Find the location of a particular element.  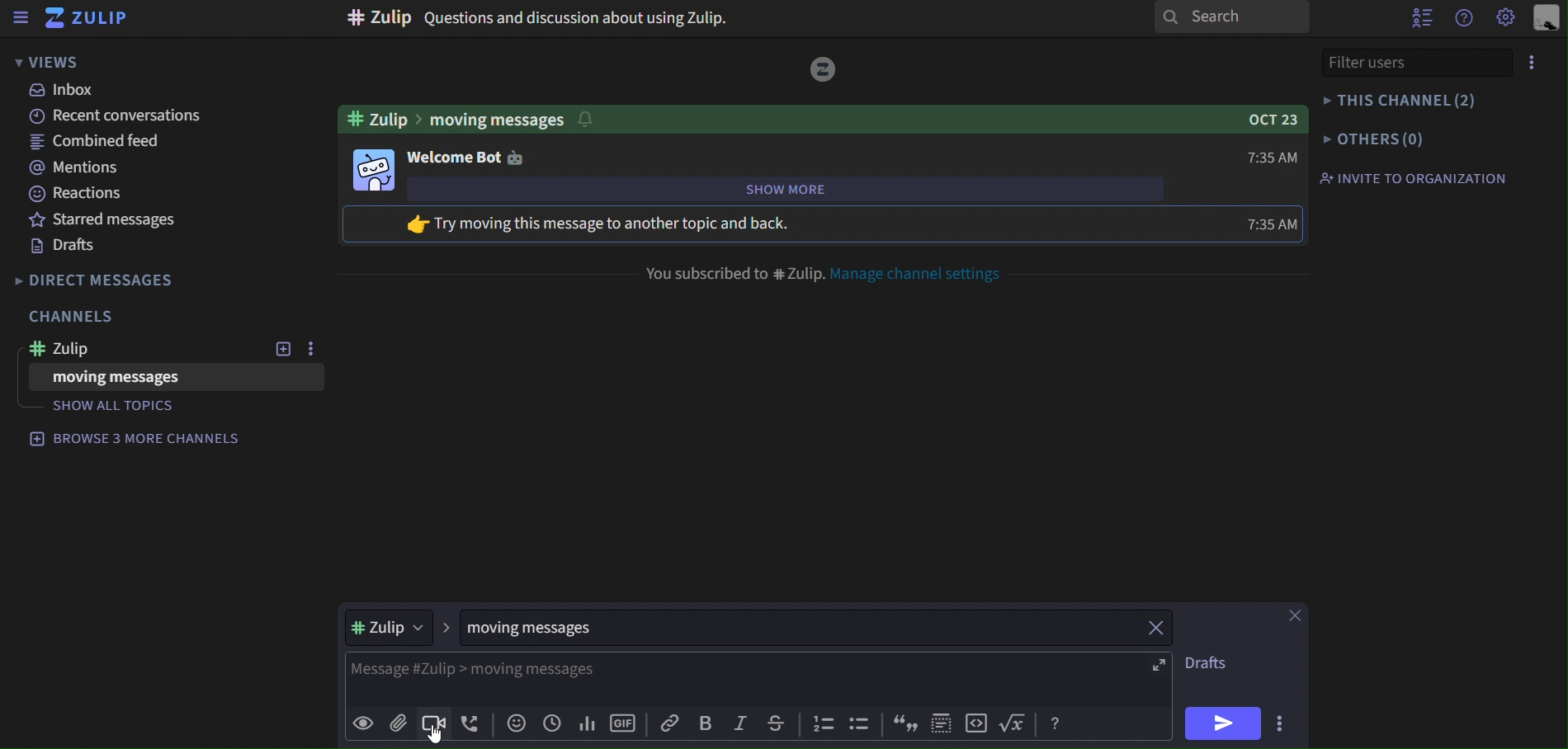

add video call is located at coordinates (432, 723).